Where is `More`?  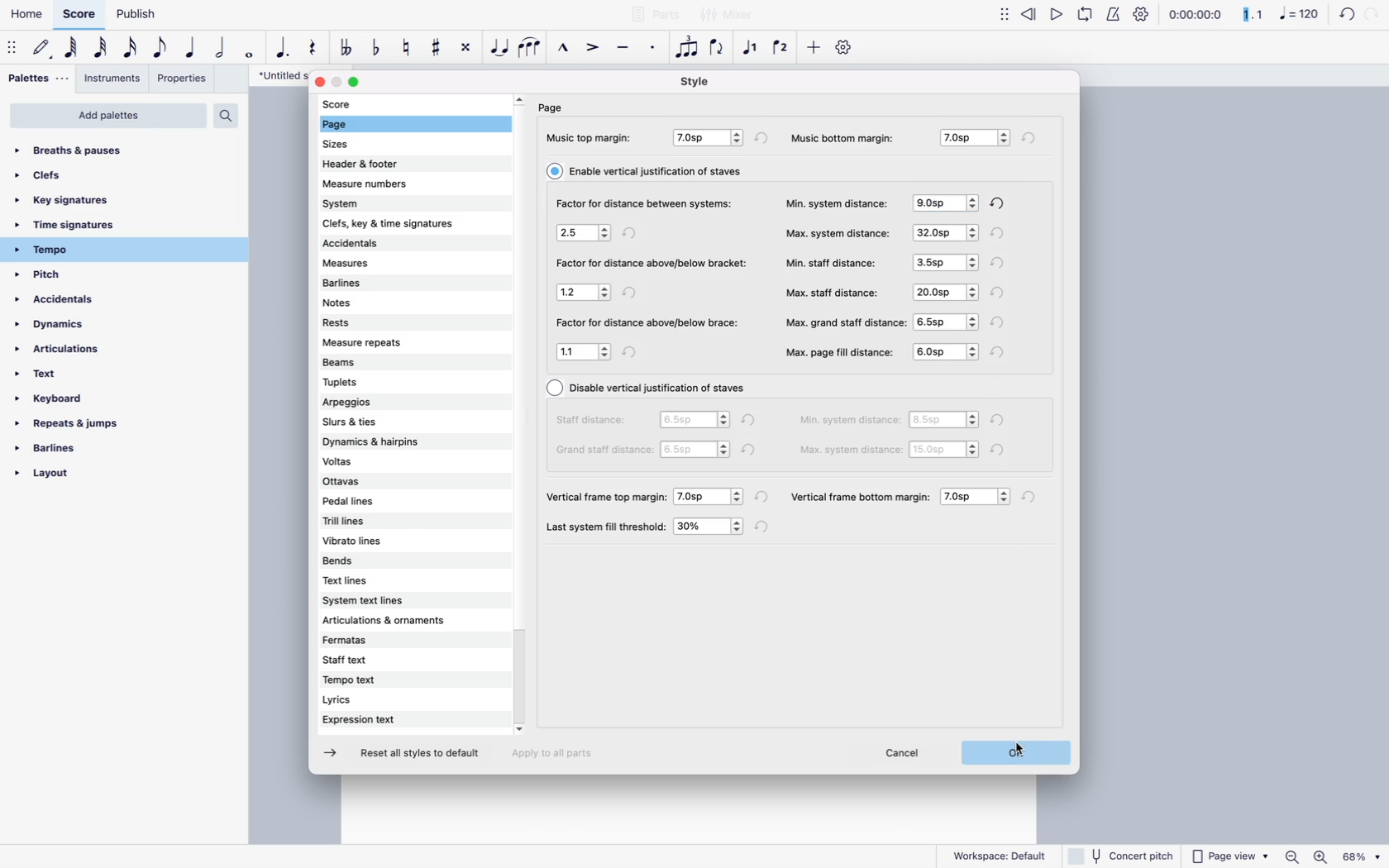 More is located at coordinates (1002, 15).